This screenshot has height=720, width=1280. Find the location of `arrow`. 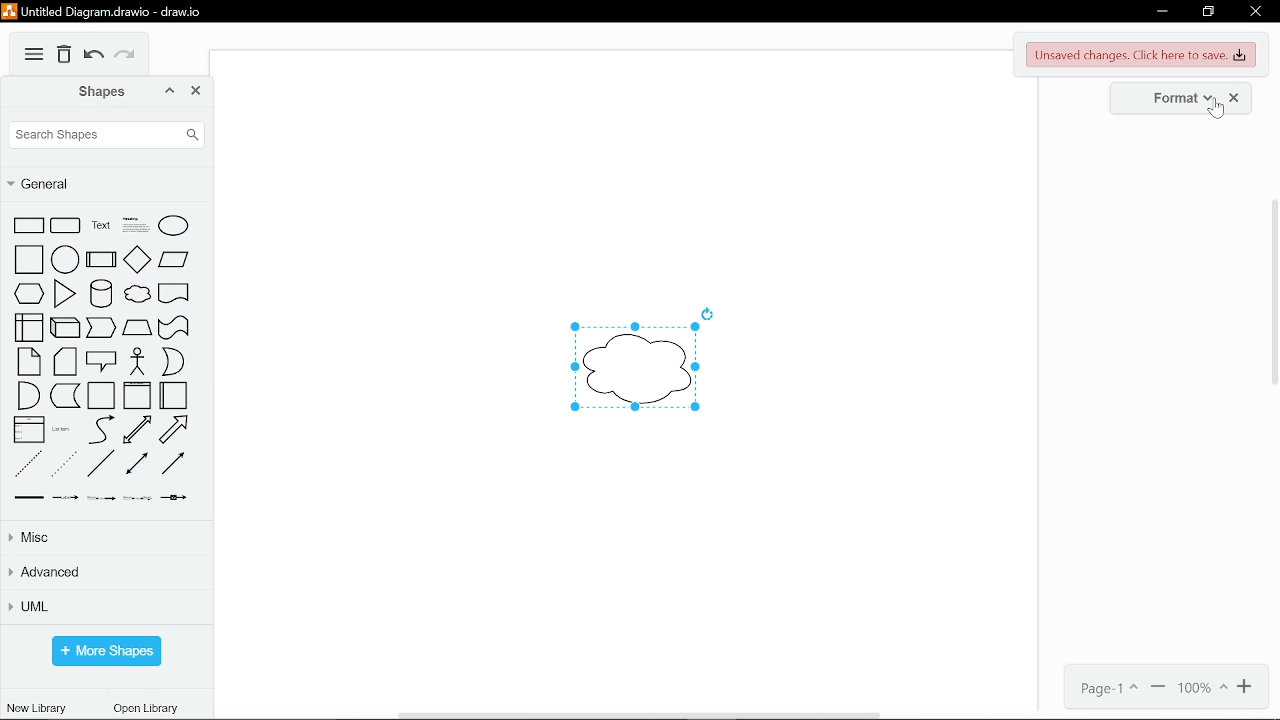

arrow is located at coordinates (174, 430).